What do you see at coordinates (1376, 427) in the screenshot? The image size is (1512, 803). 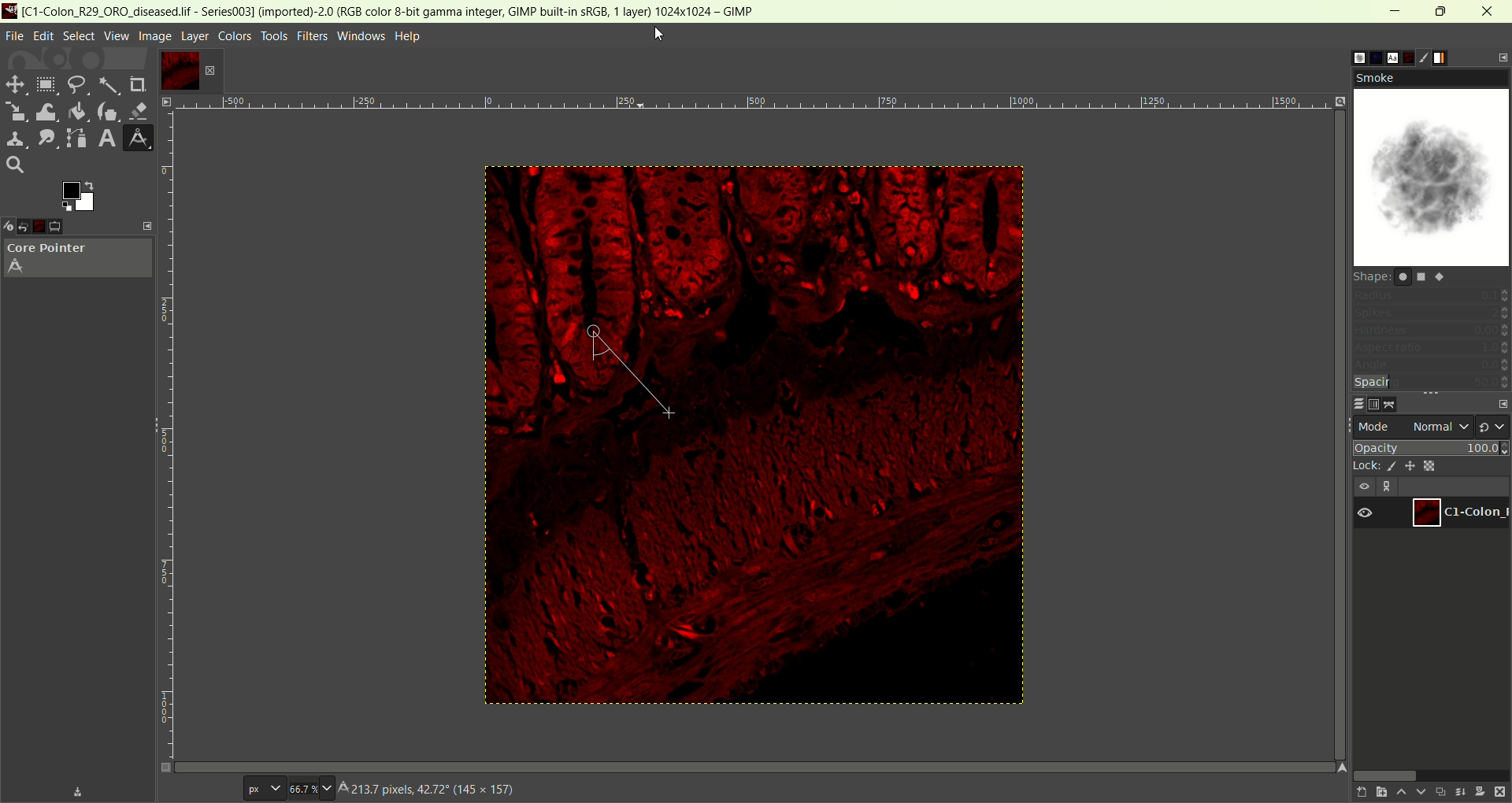 I see `mode` at bounding box center [1376, 427].